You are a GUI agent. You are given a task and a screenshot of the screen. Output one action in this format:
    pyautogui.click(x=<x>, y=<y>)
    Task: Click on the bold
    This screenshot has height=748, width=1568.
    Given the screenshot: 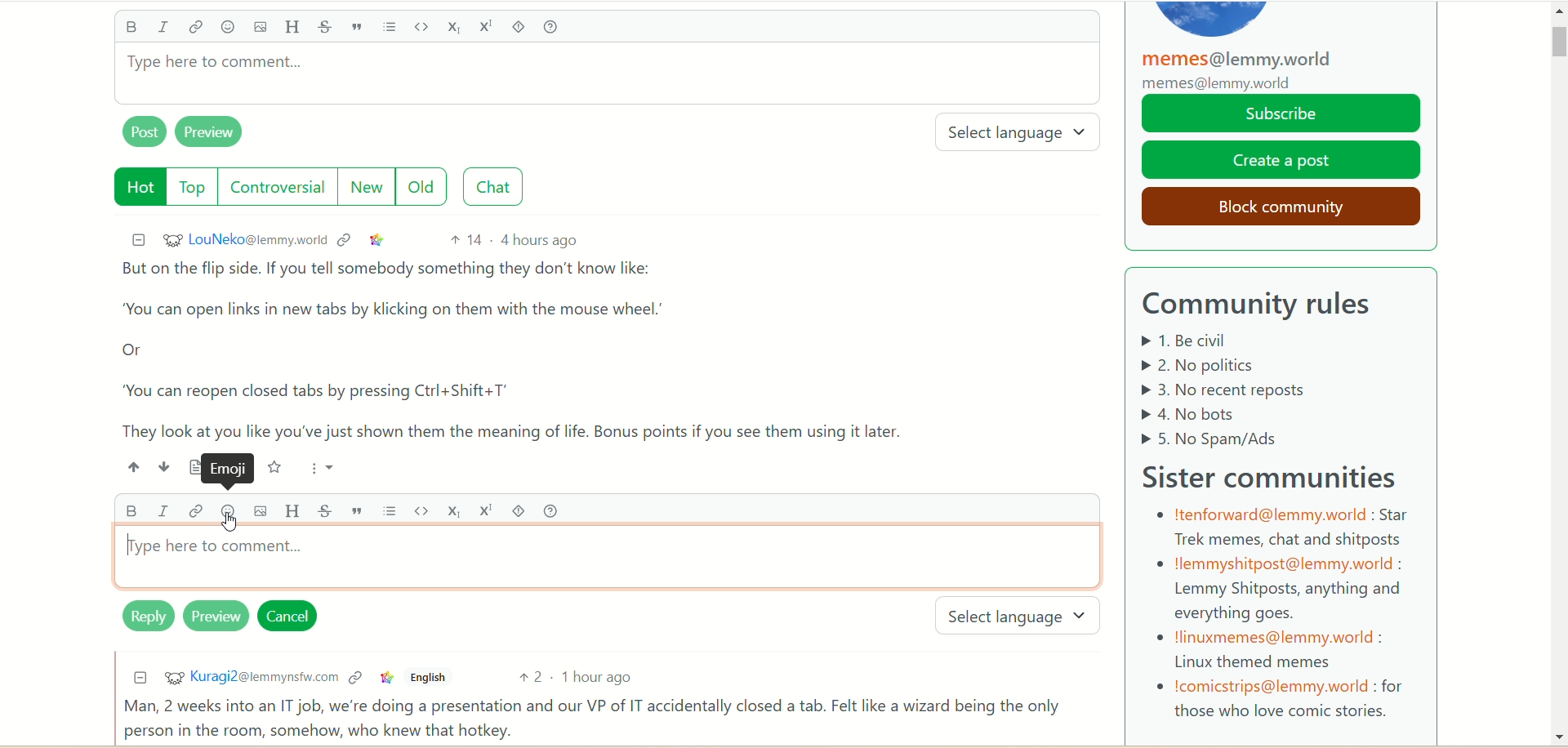 What is the action you would take?
    pyautogui.click(x=131, y=513)
    